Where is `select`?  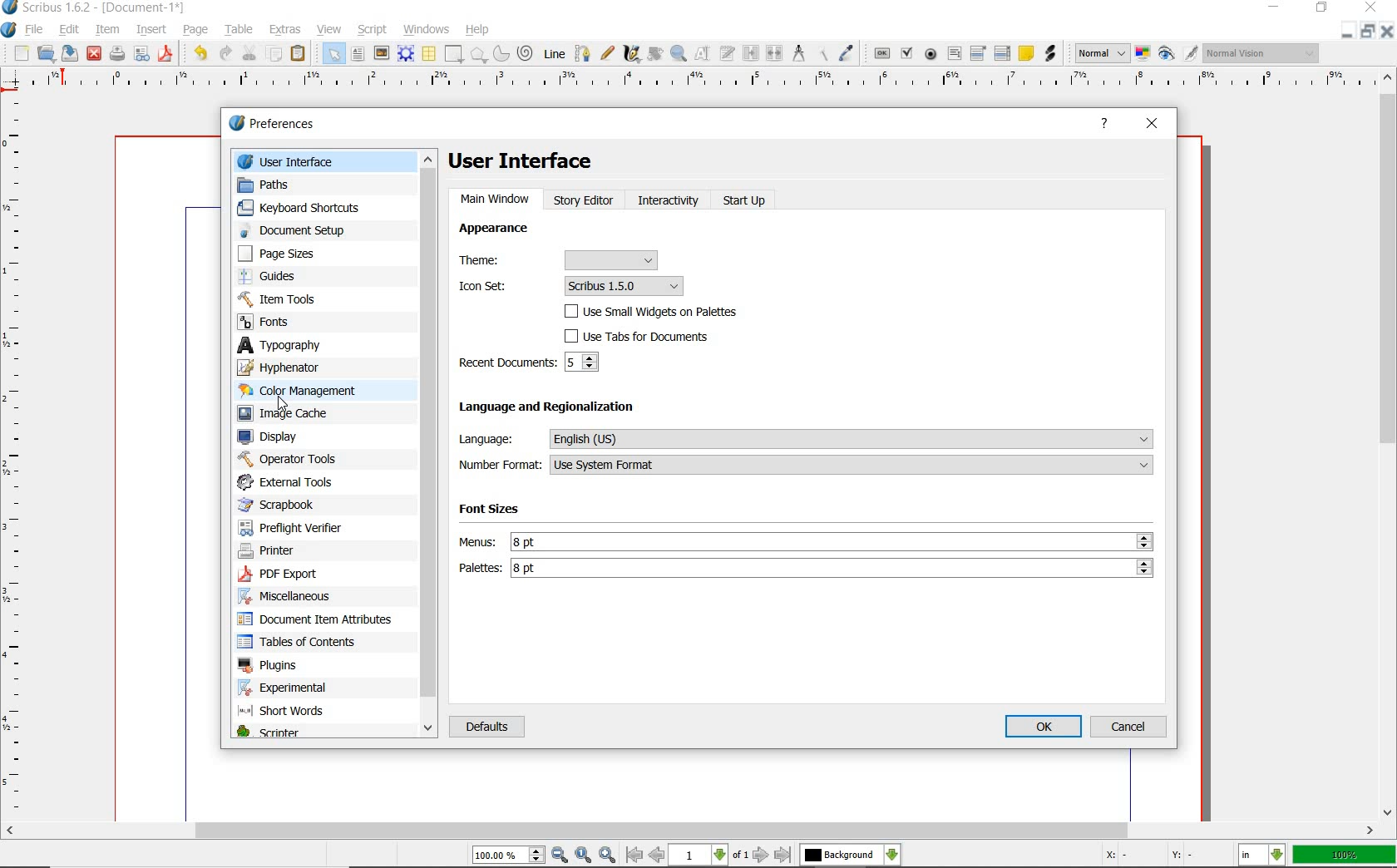
select is located at coordinates (333, 55).